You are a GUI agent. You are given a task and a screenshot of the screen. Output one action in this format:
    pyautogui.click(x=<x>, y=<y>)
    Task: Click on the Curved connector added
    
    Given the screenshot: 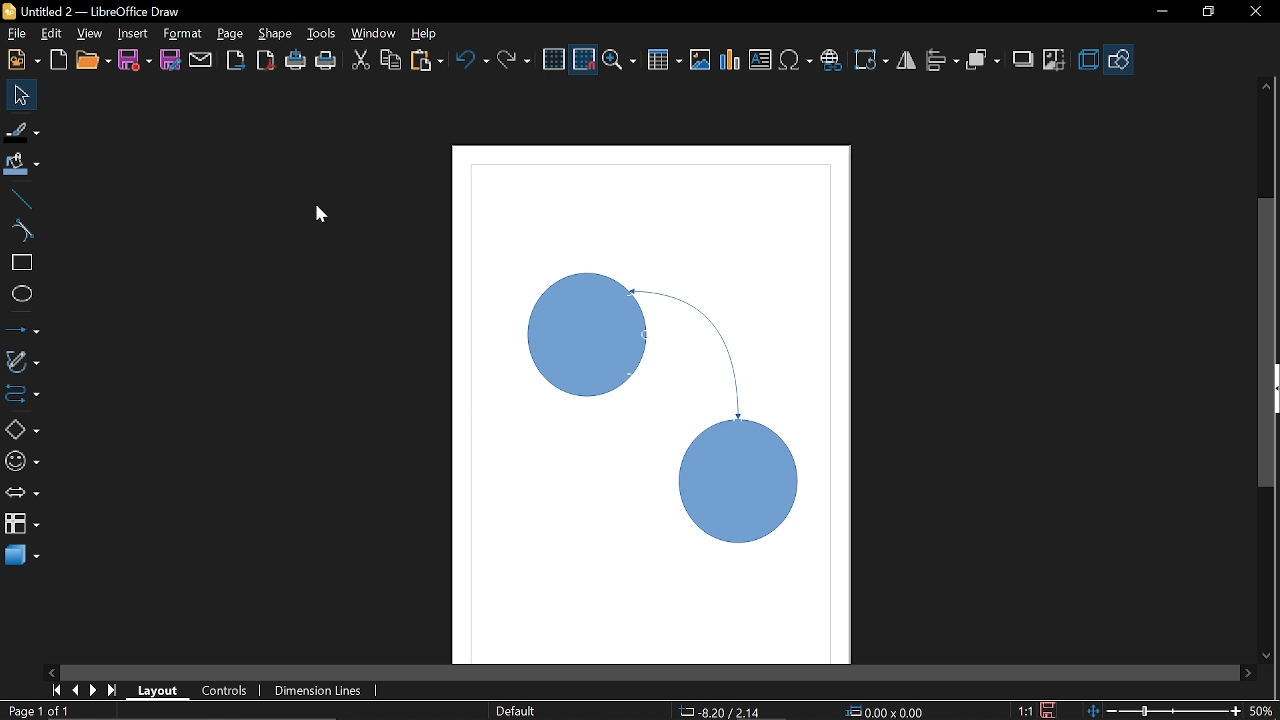 What is the action you would take?
    pyautogui.click(x=663, y=413)
    